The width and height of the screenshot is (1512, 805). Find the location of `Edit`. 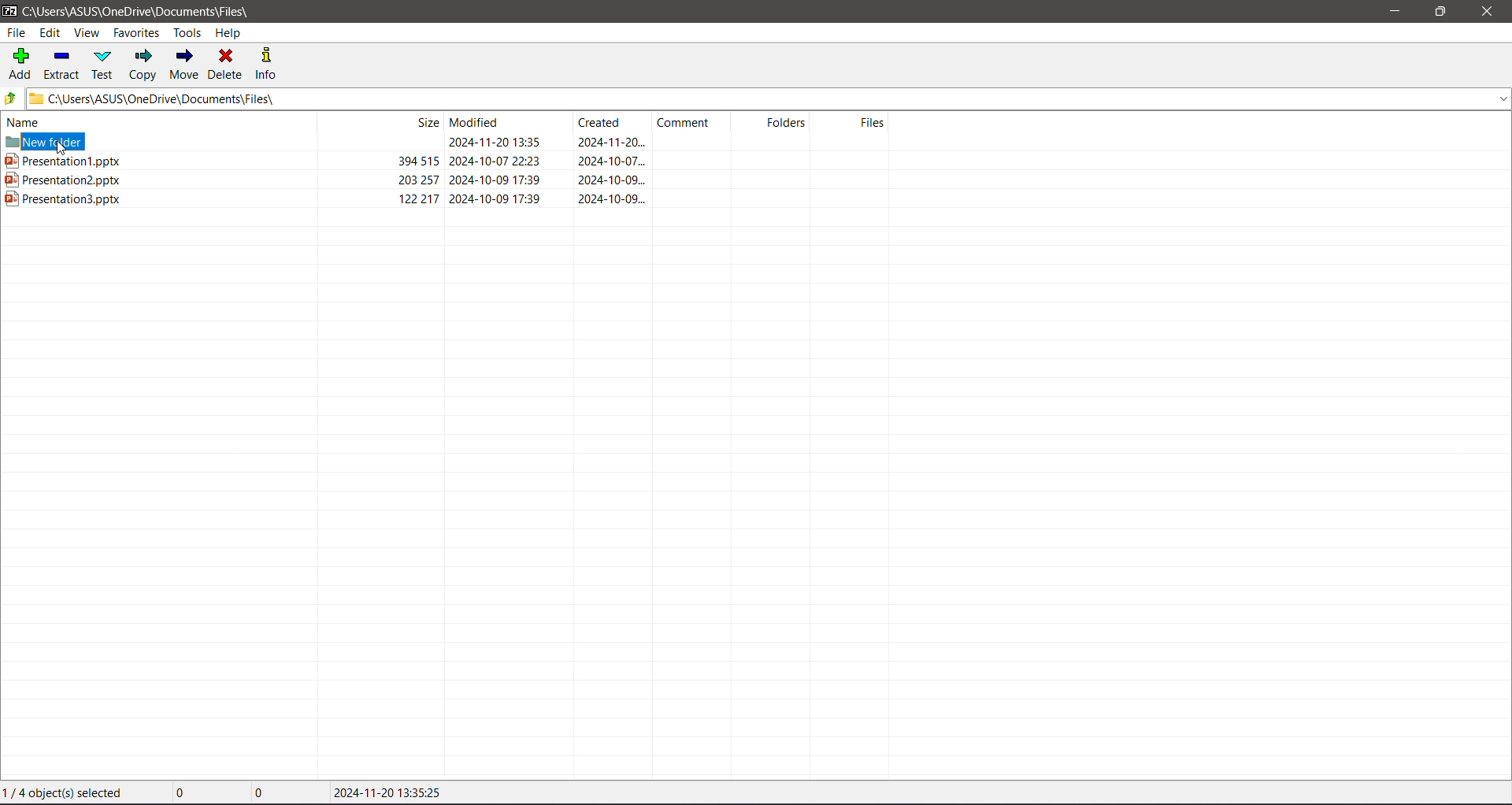

Edit is located at coordinates (50, 33).